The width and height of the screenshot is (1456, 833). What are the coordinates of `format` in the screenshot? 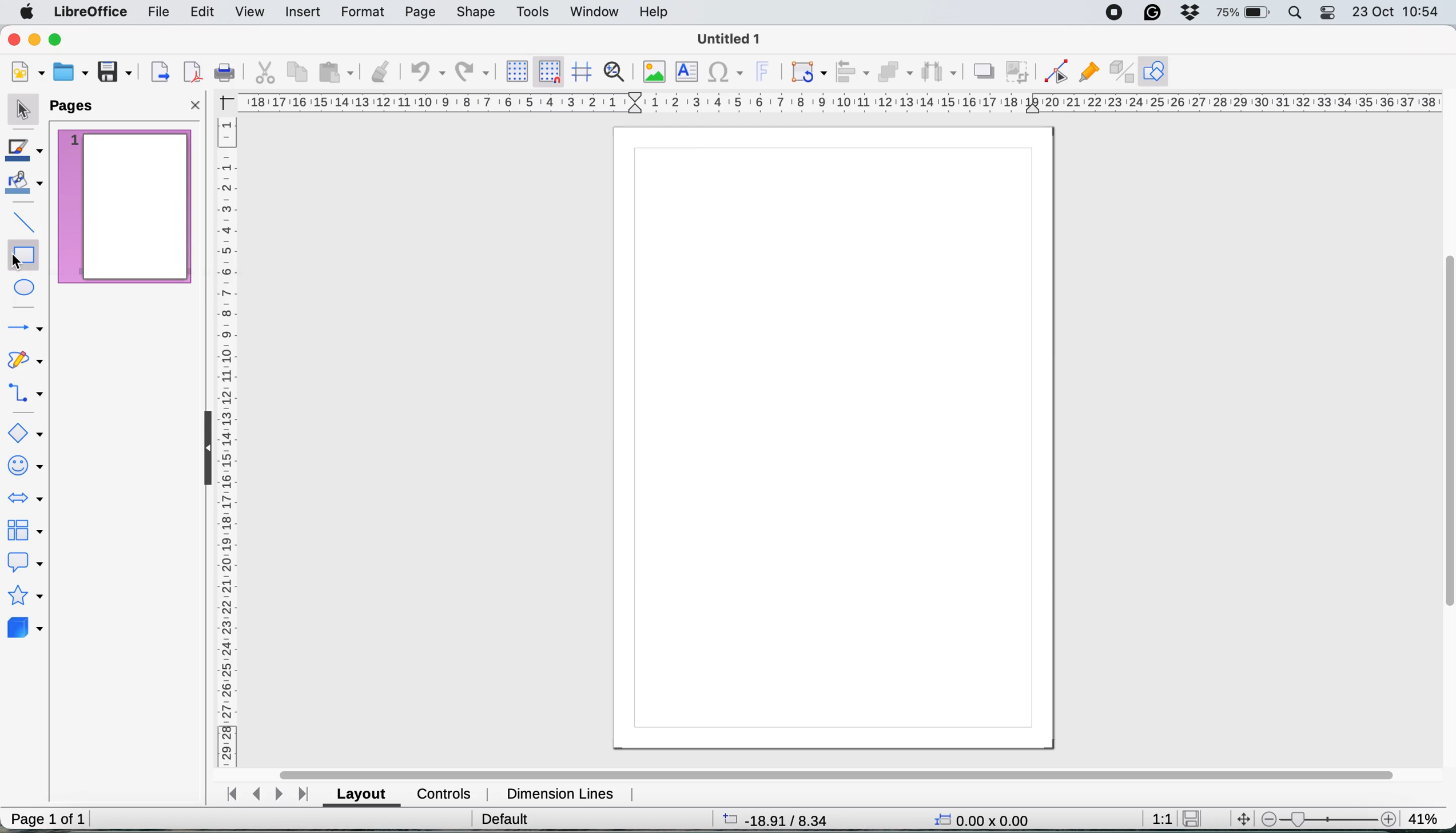 It's located at (361, 10).